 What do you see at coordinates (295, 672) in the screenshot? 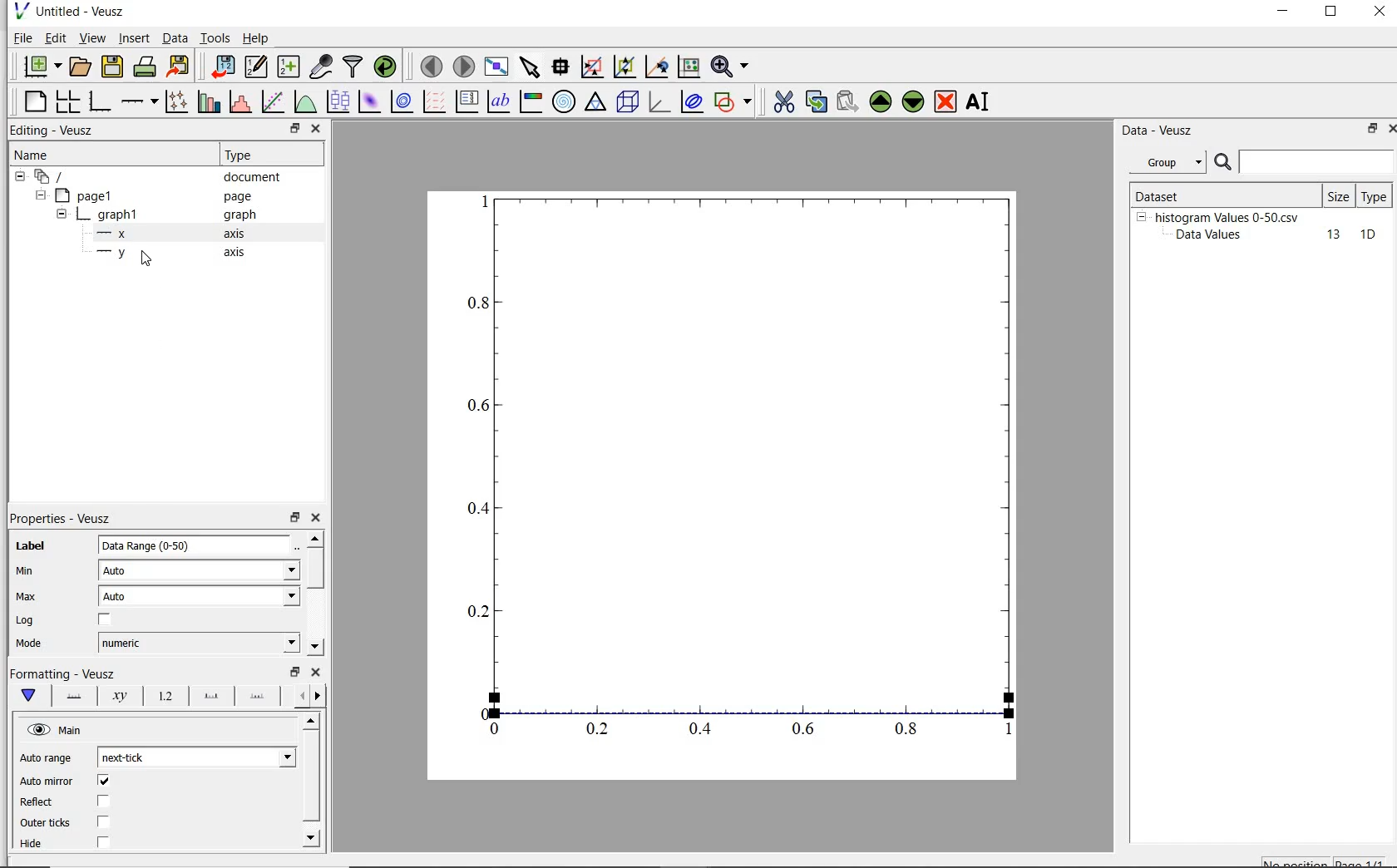
I see `restore down` at bounding box center [295, 672].